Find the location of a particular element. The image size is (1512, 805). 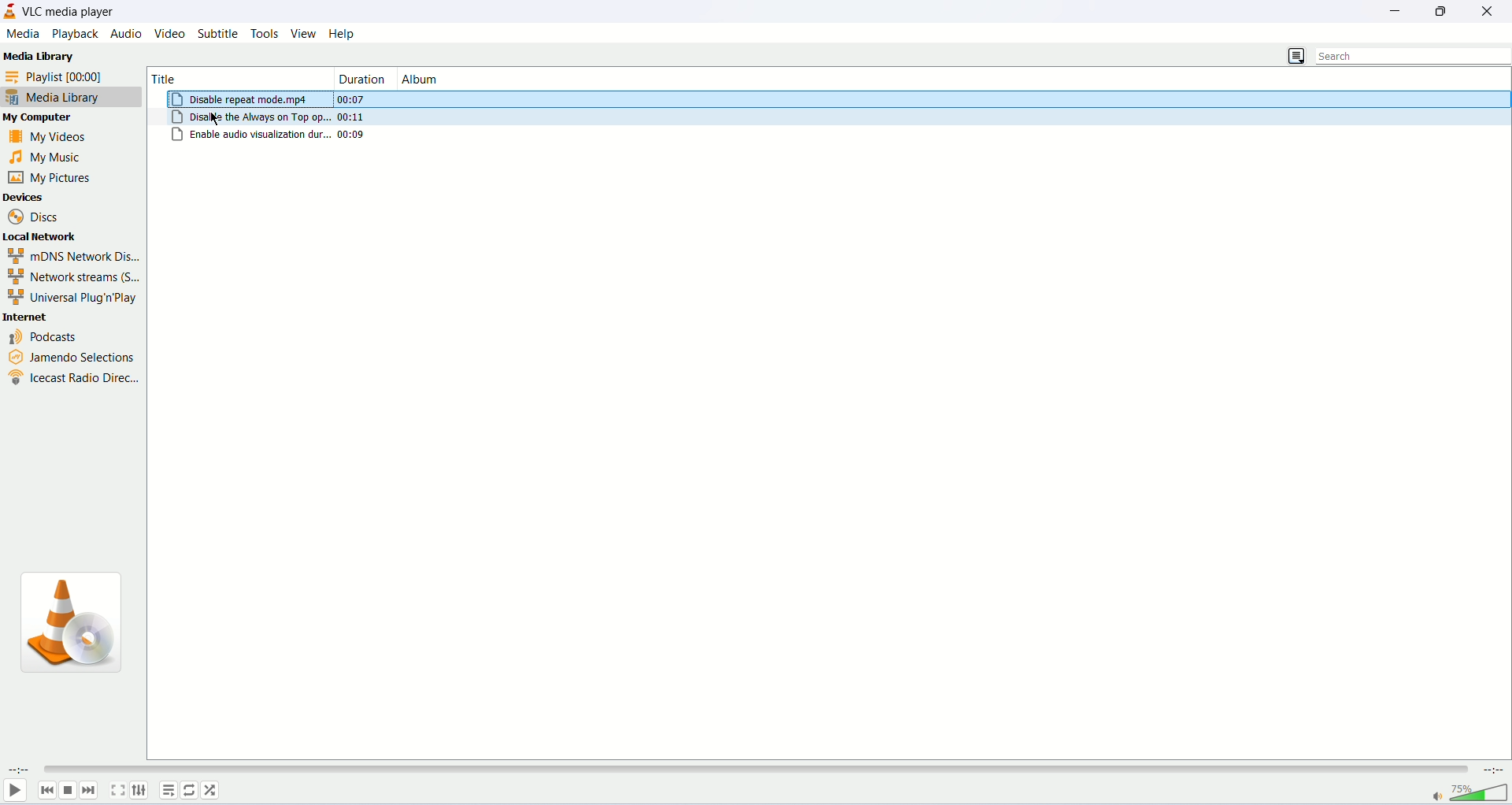

network streams is located at coordinates (72, 277).